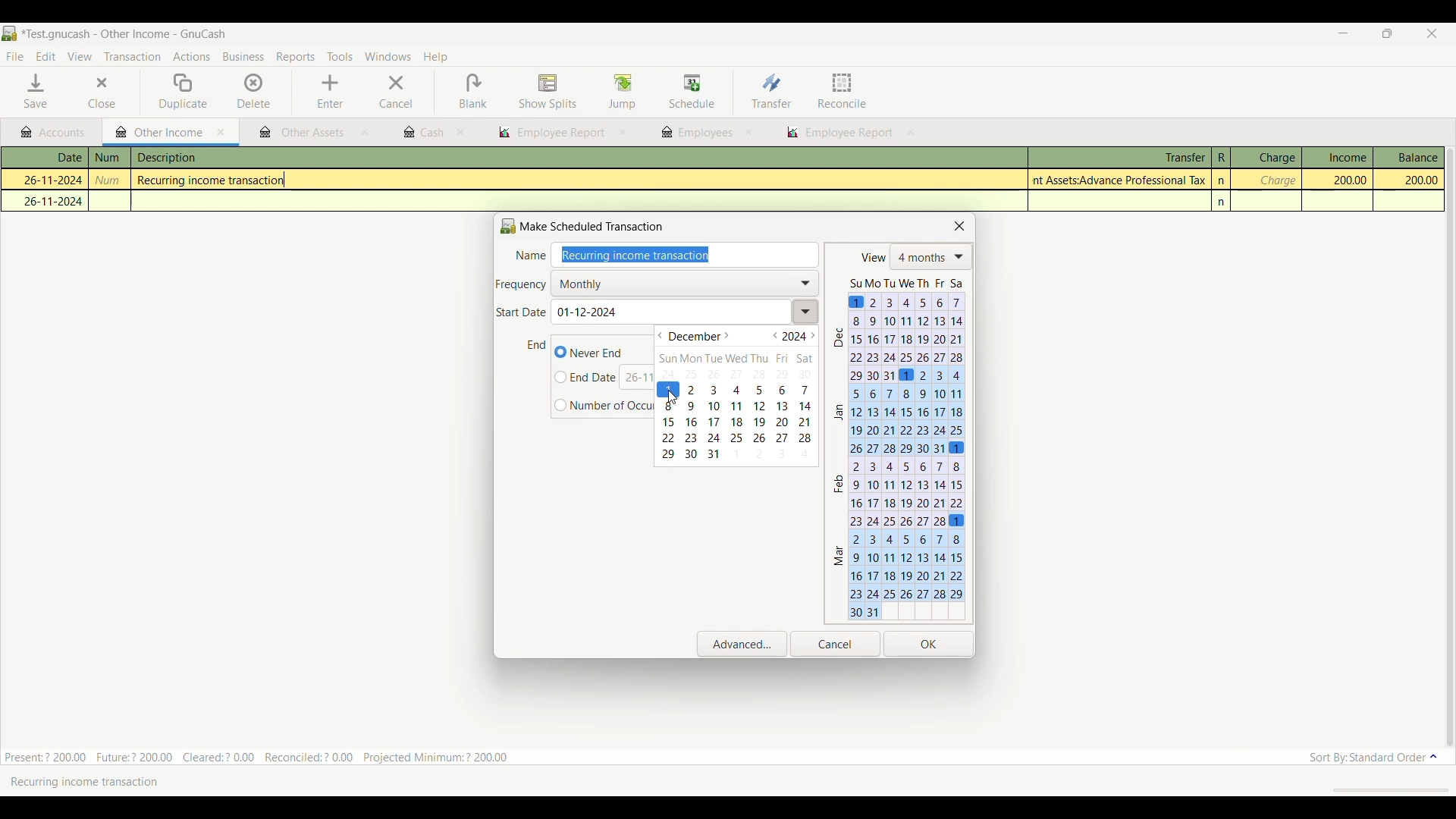 Image resolution: width=1456 pixels, height=819 pixels. I want to click on Current tab highlight, so click(155, 131).